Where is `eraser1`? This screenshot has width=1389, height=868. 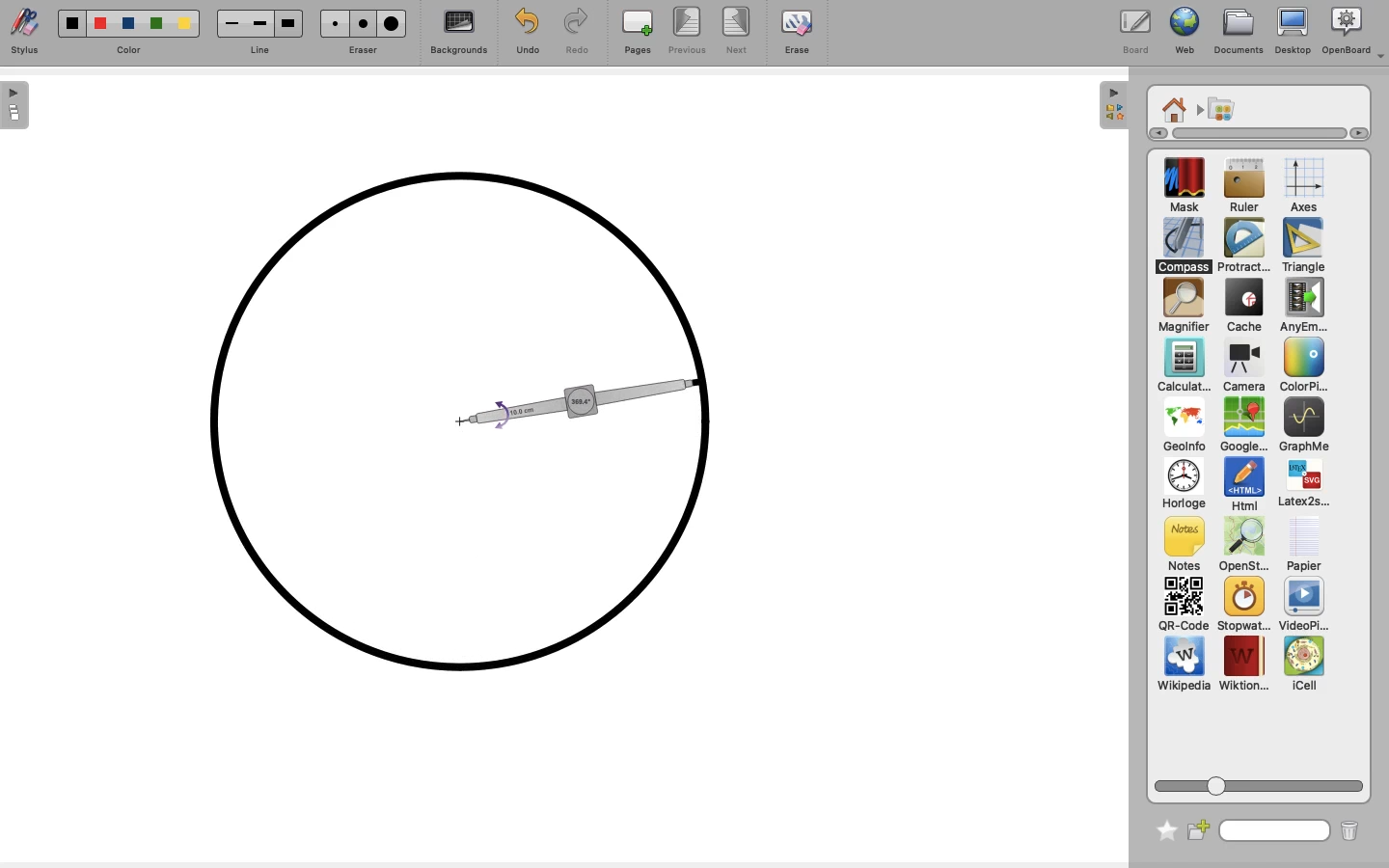 eraser1 is located at coordinates (334, 23).